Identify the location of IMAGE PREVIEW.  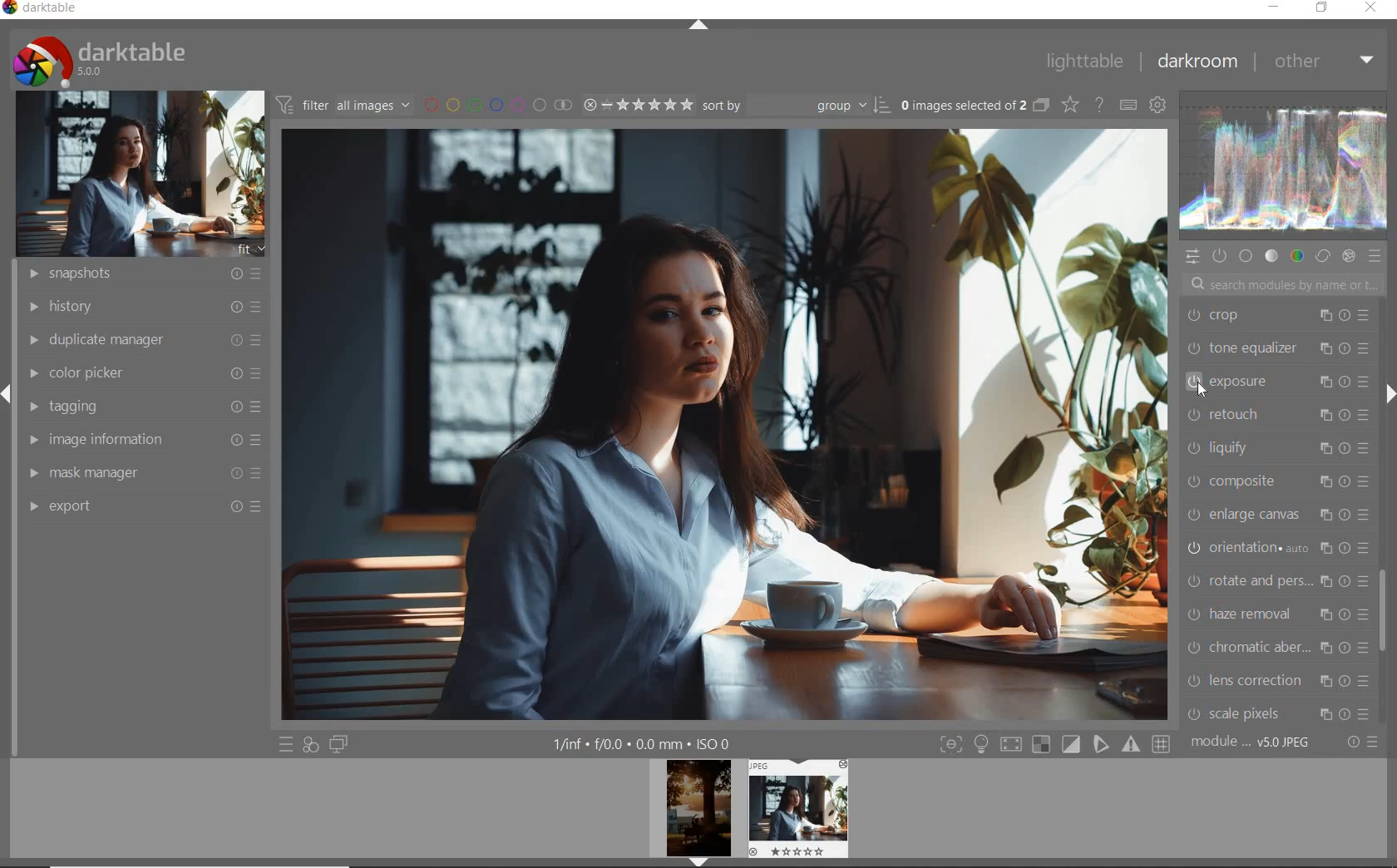
(797, 808).